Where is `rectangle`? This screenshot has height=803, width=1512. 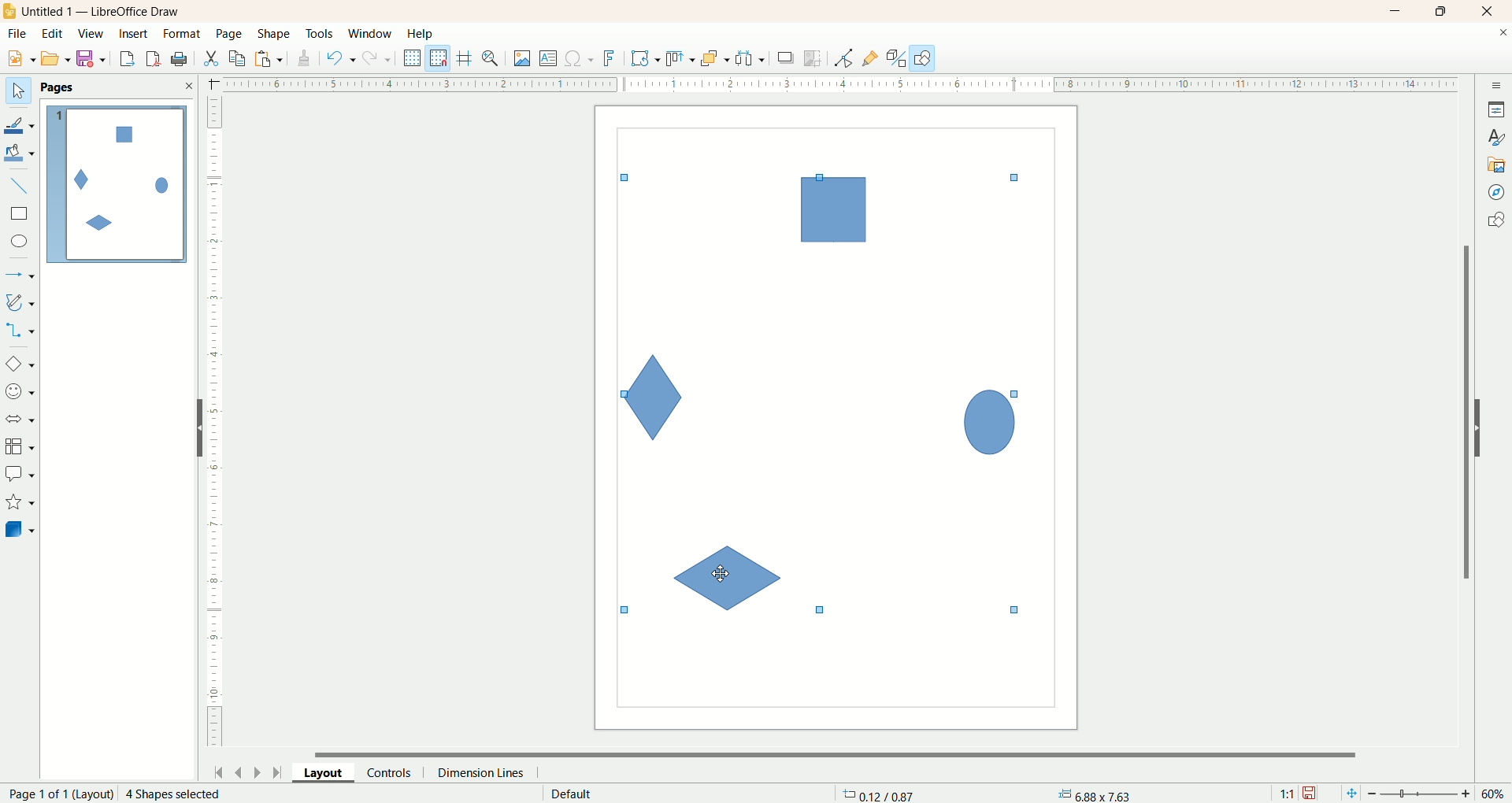 rectangle is located at coordinates (21, 214).